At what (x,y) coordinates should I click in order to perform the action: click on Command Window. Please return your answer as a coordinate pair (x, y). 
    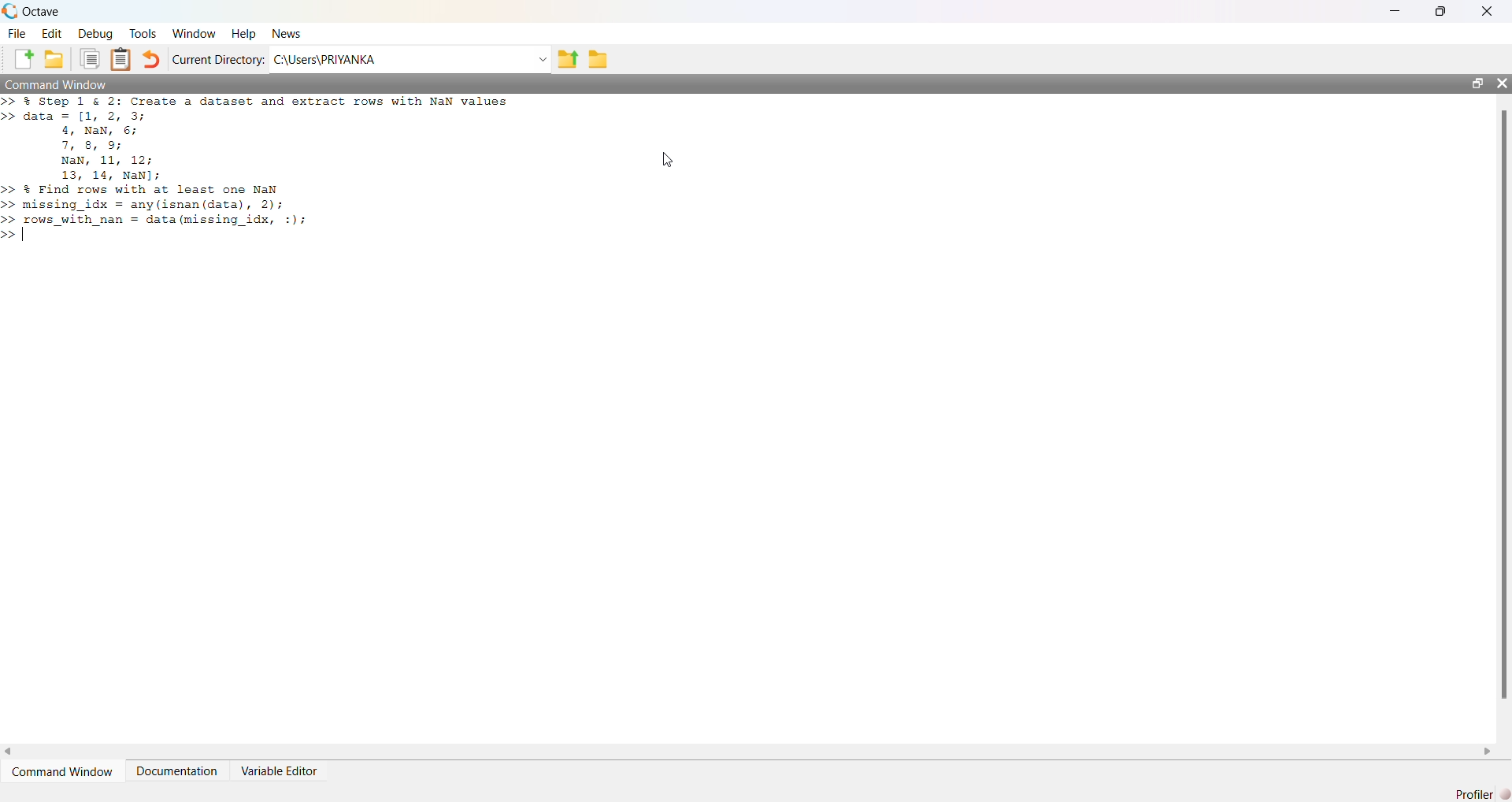
    Looking at the image, I should click on (62, 772).